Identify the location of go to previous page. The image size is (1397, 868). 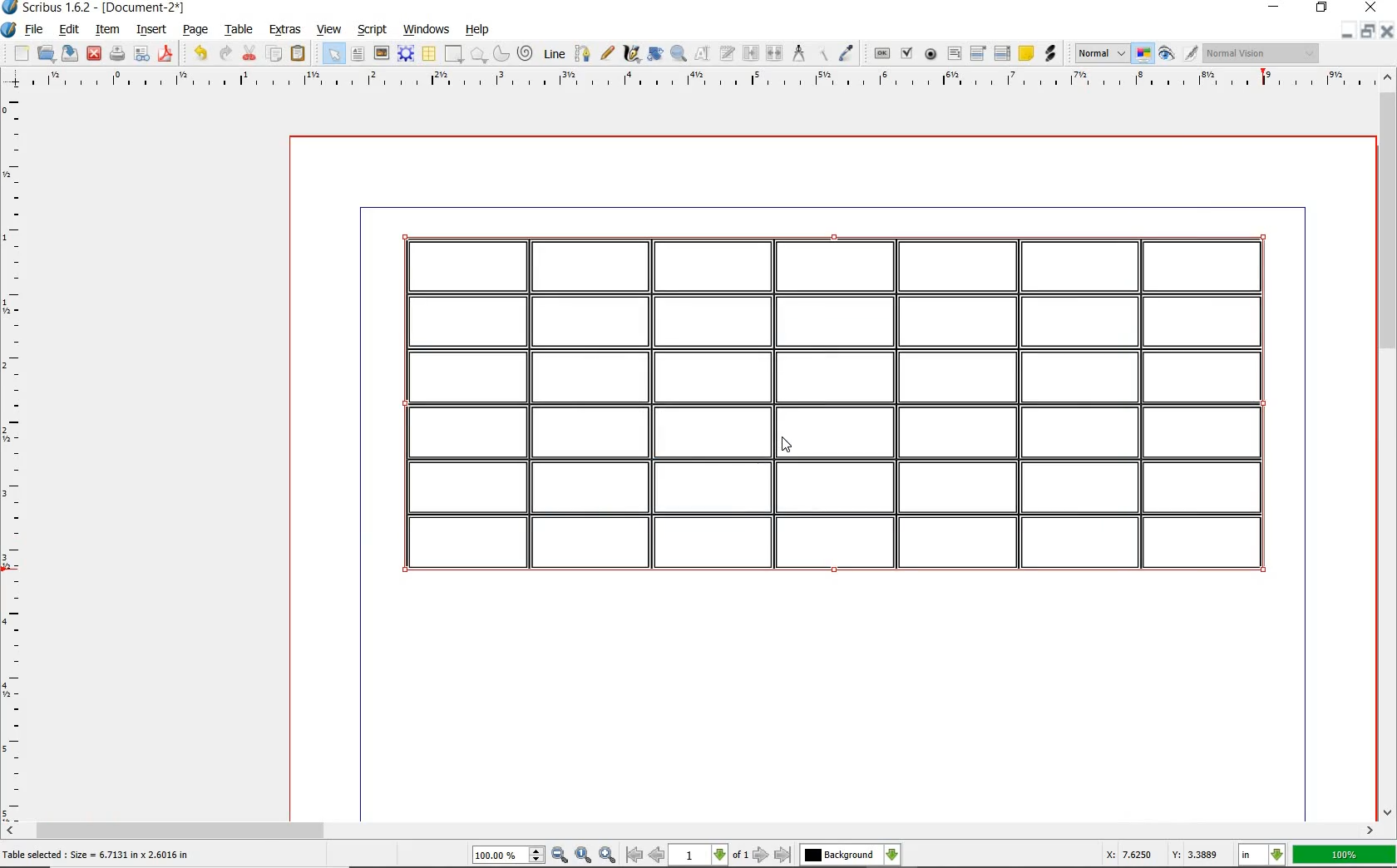
(658, 856).